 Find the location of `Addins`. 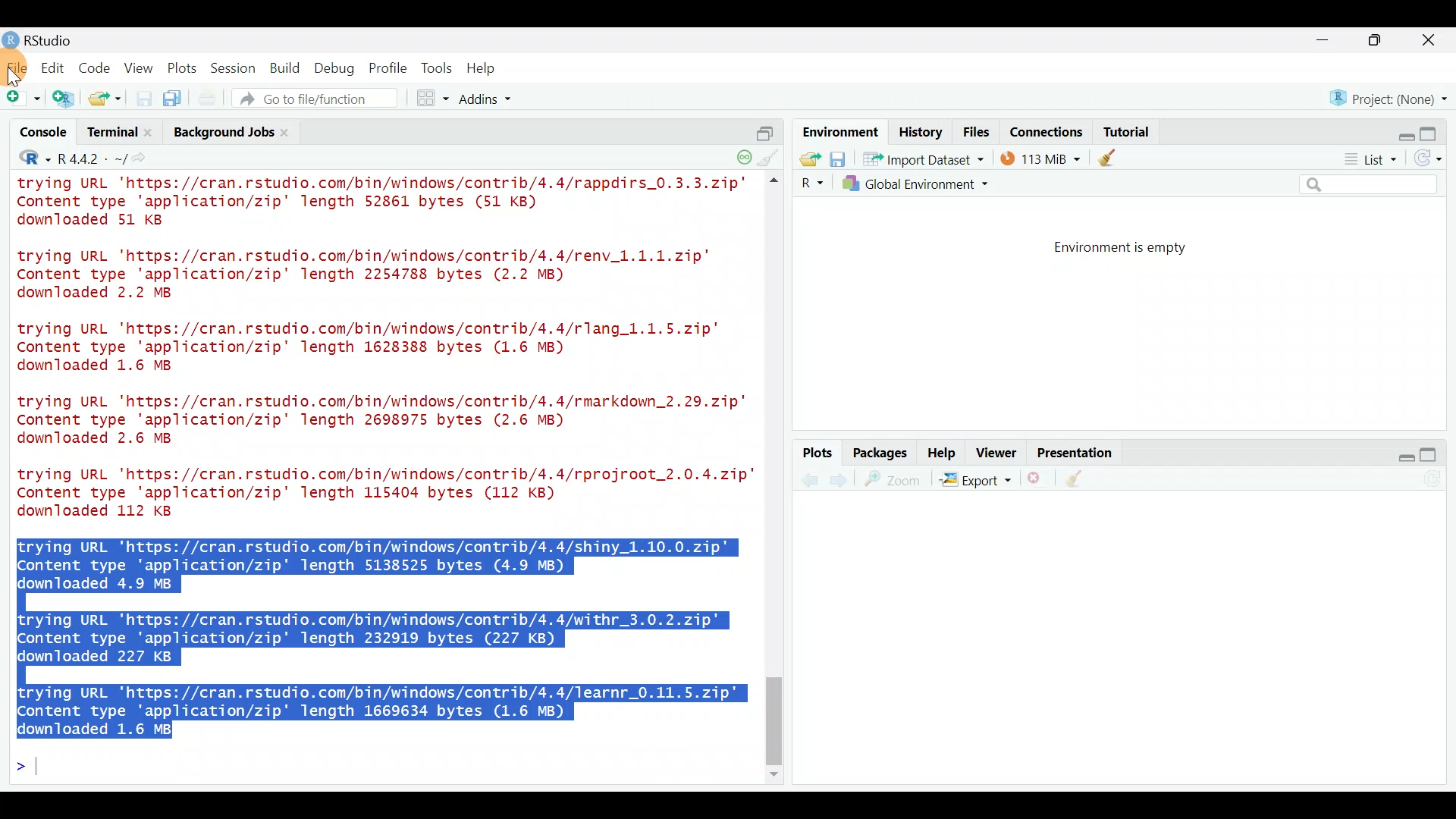

Addins is located at coordinates (487, 101).